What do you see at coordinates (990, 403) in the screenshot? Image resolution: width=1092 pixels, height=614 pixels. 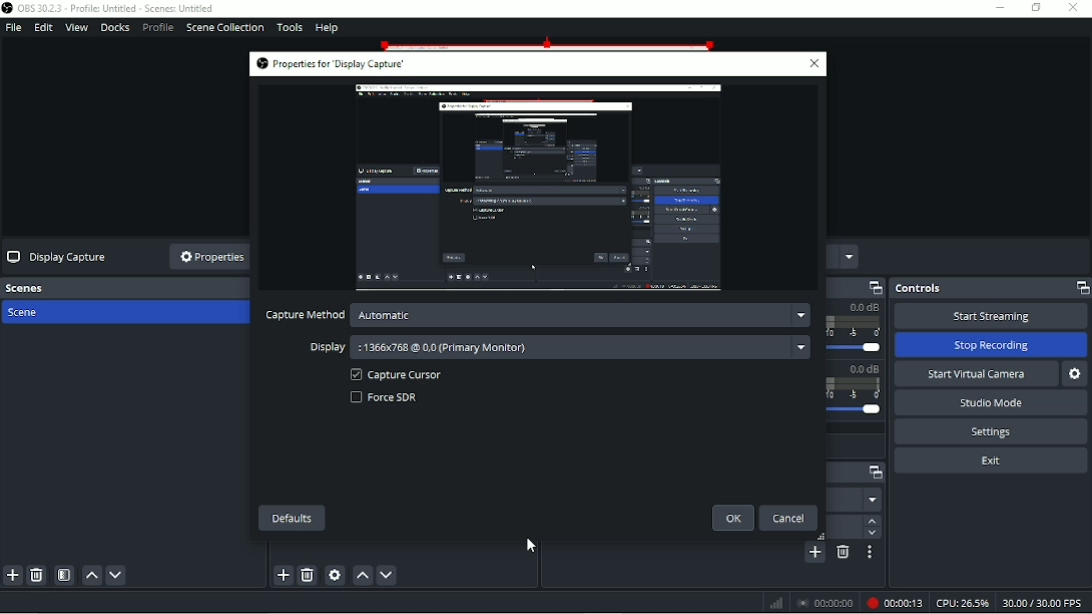 I see `Studio mode` at bounding box center [990, 403].